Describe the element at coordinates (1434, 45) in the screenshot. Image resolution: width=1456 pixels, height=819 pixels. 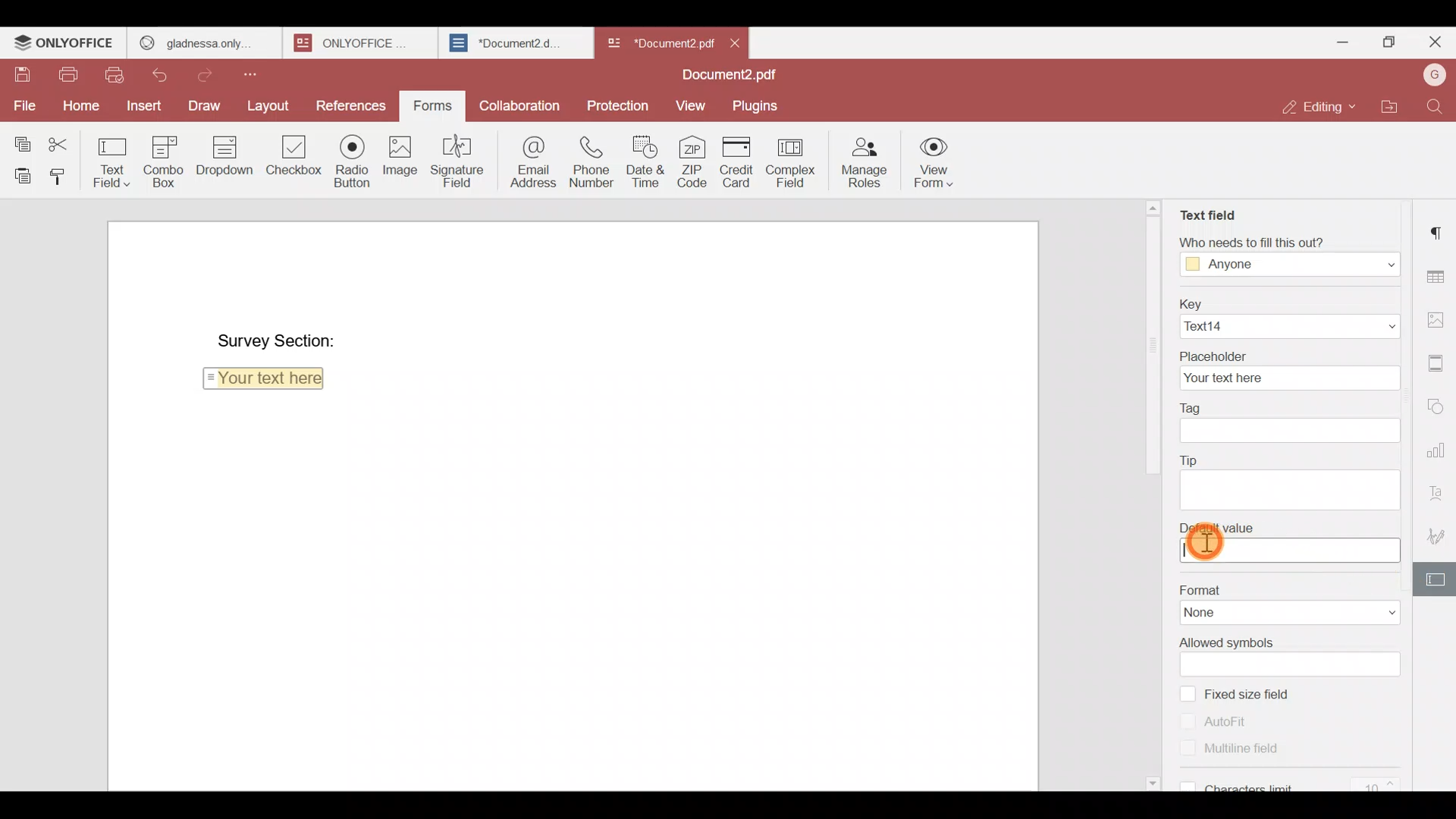
I see `Close` at that location.